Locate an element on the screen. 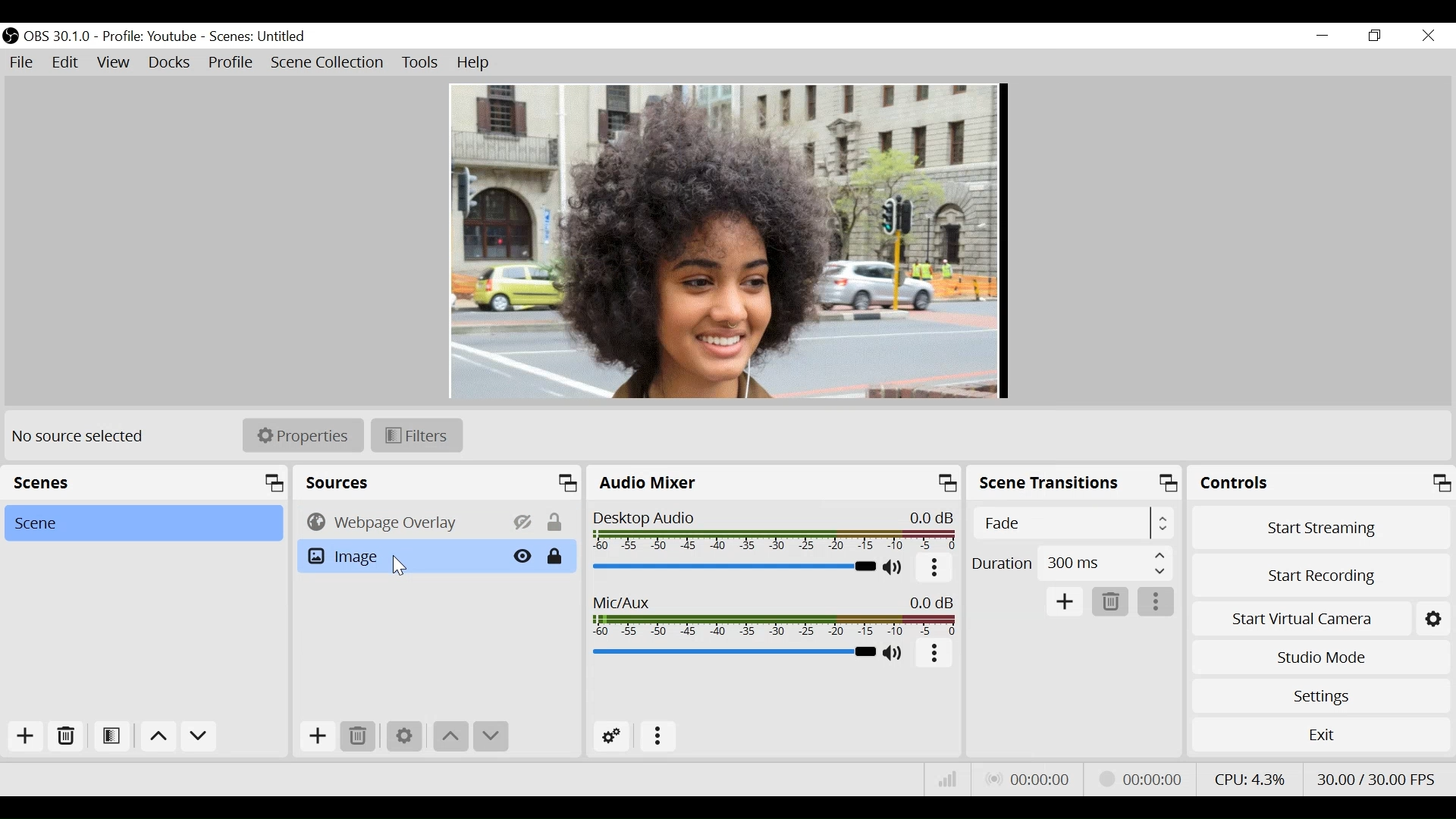  CPU Usage is located at coordinates (1250, 779).